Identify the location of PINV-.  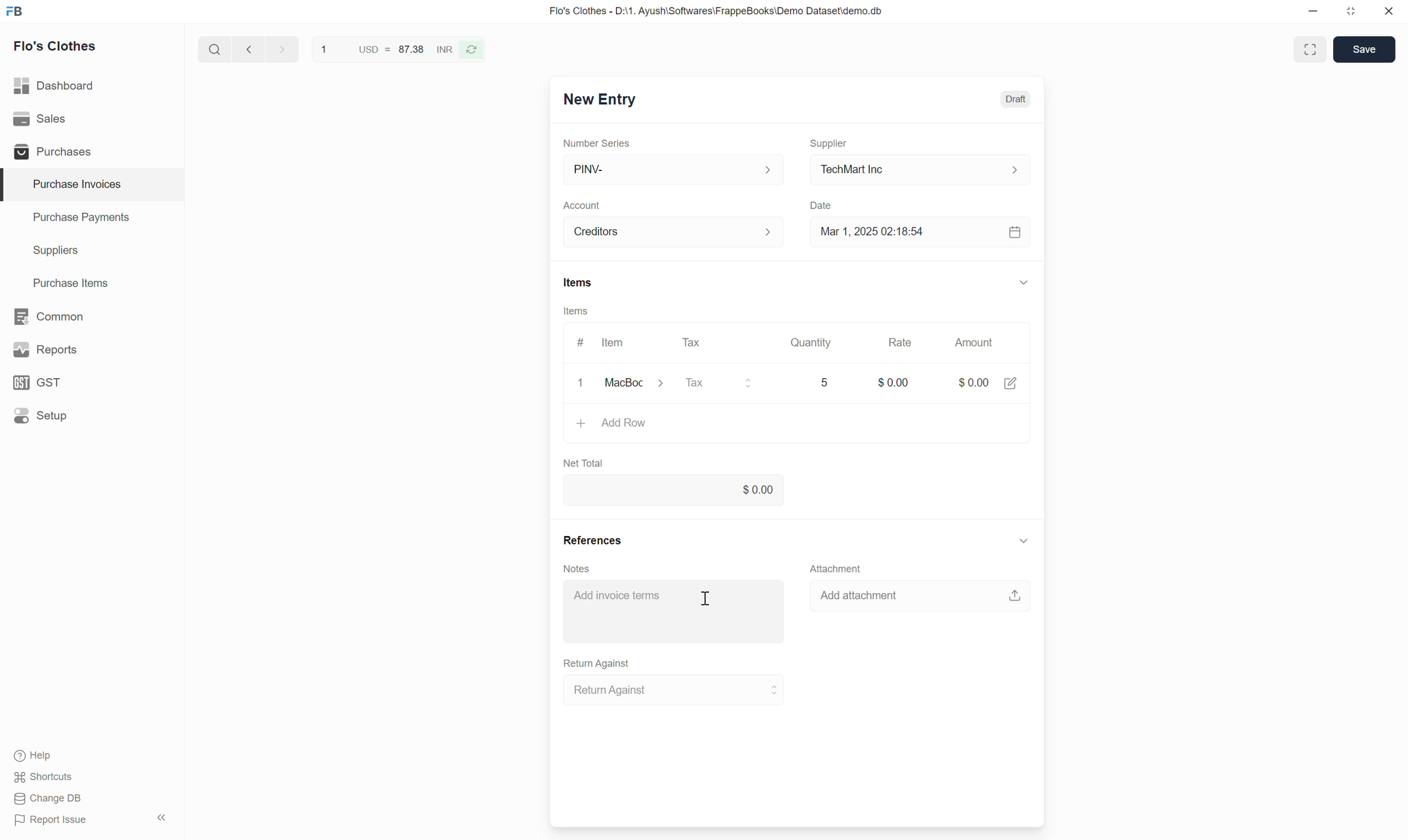
(673, 170).